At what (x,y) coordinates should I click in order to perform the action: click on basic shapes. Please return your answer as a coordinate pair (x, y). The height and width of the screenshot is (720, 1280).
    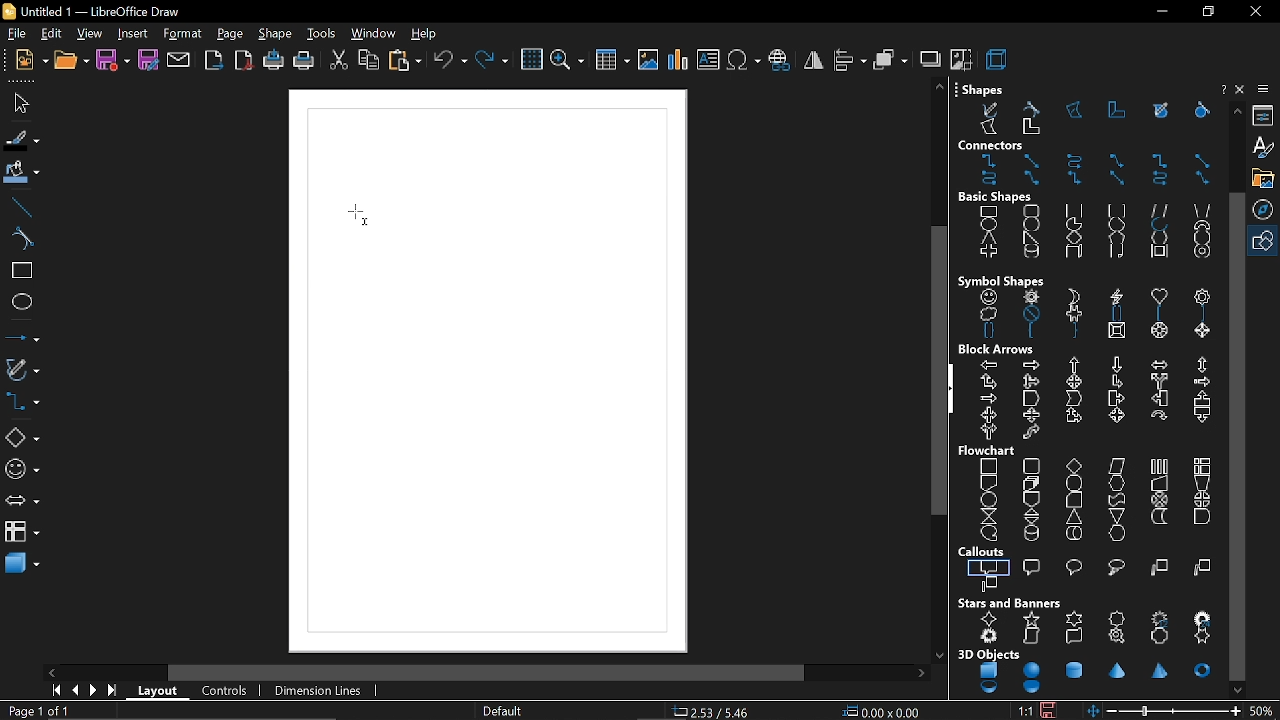
    Looking at the image, I should click on (997, 197).